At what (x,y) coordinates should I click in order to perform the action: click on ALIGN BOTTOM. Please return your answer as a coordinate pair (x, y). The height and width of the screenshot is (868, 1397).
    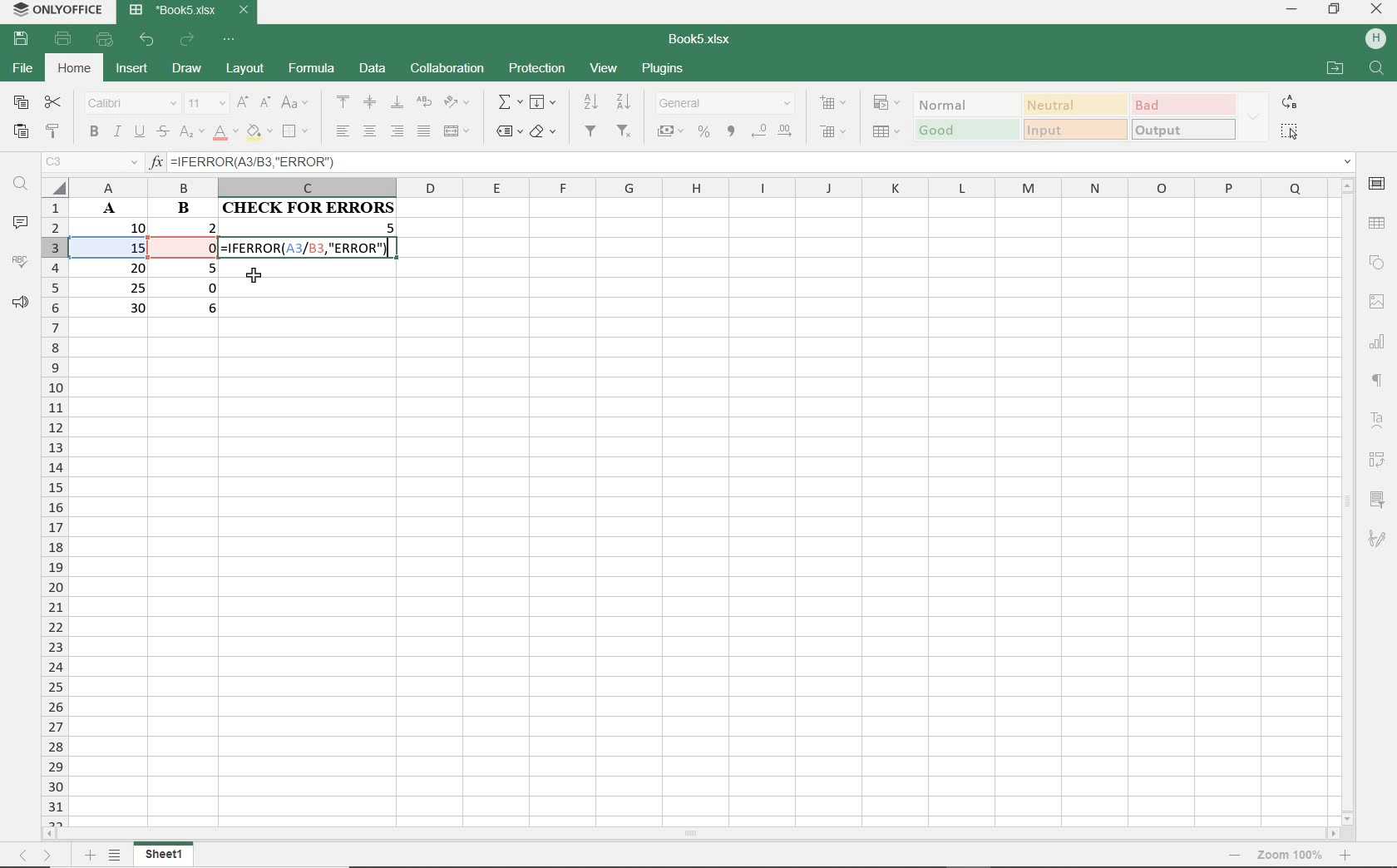
    Looking at the image, I should click on (397, 103).